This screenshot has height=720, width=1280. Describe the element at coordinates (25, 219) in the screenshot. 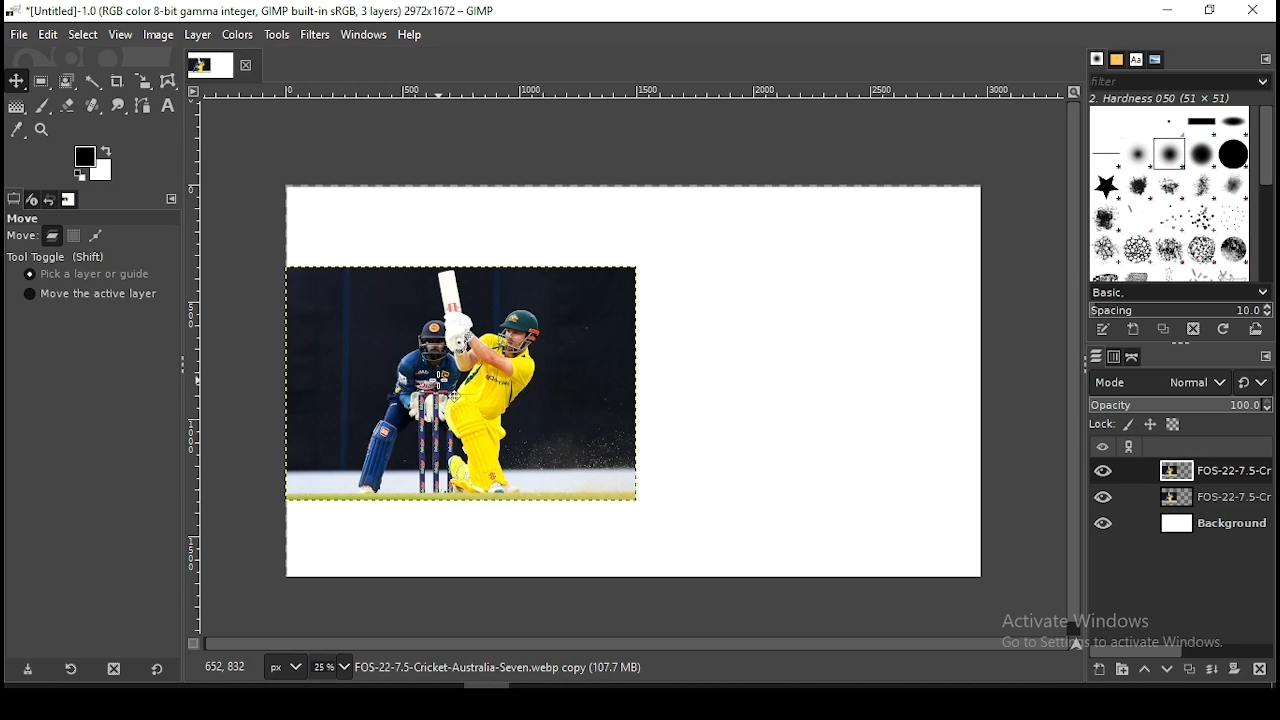

I see `move` at that location.